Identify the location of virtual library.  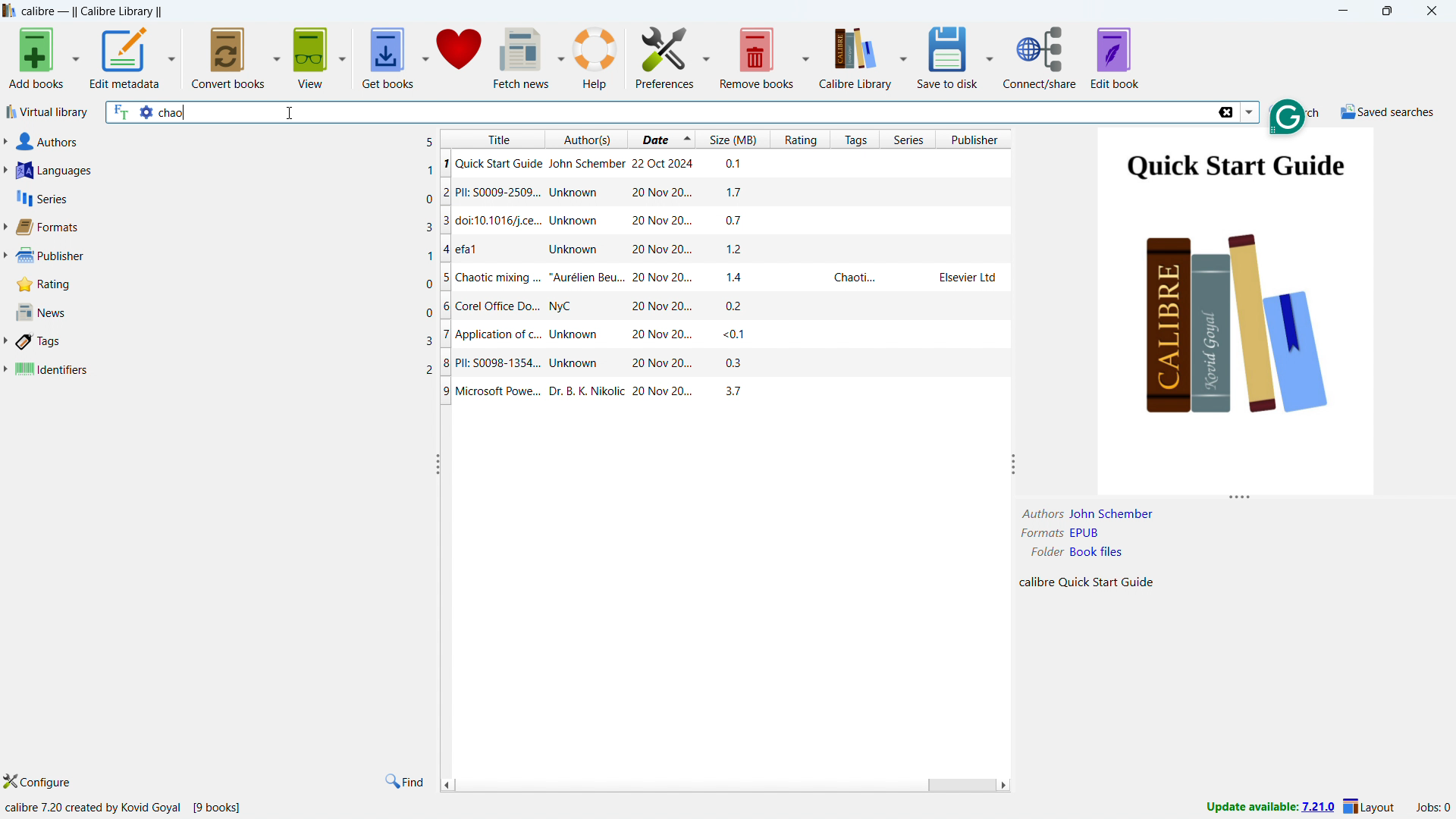
(47, 113).